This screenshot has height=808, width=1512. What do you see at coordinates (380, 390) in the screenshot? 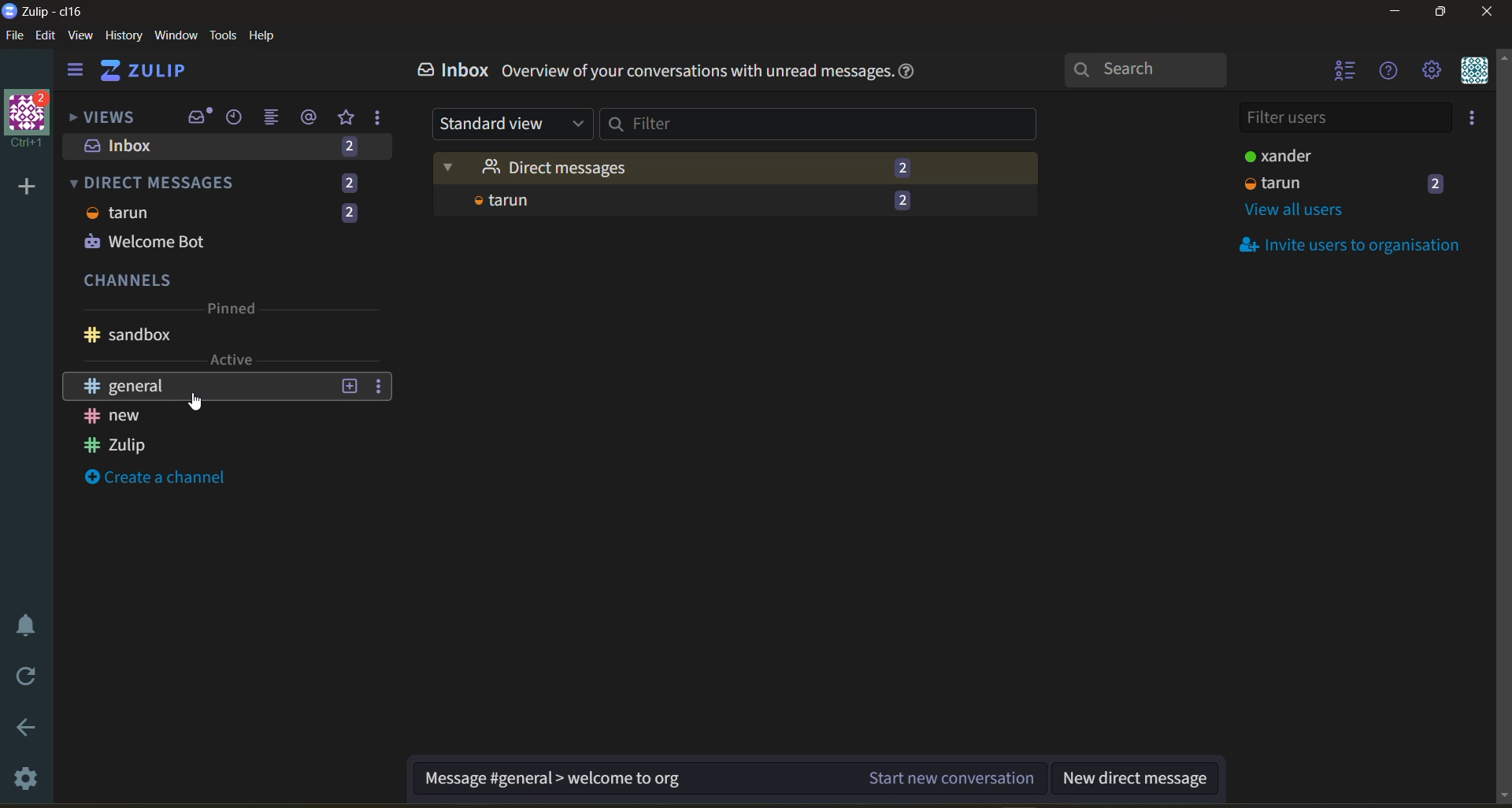
I see `channel settings` at bounding box center [380, 390].